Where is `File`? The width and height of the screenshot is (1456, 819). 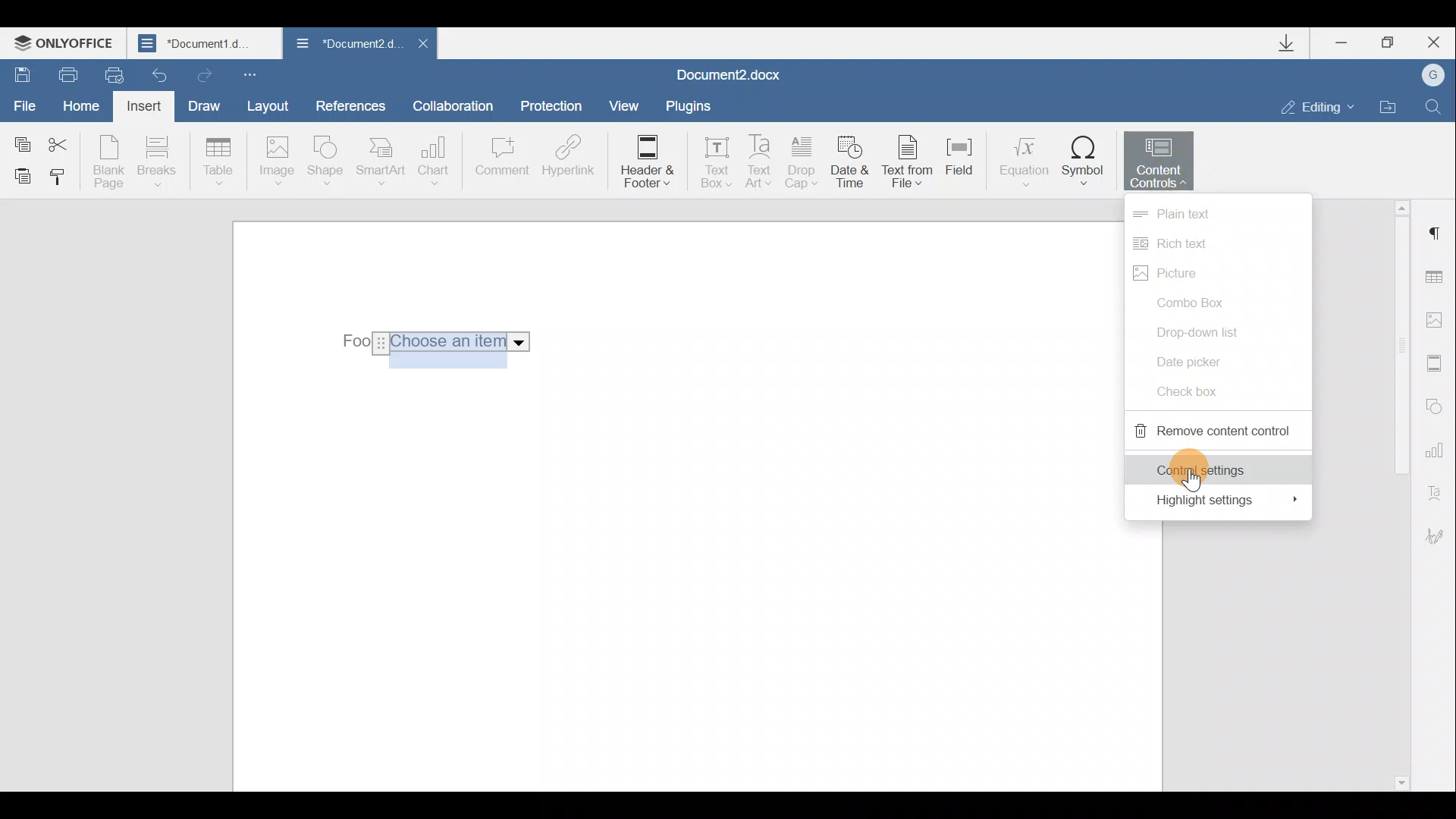
File is located at coordinates (26, 104).